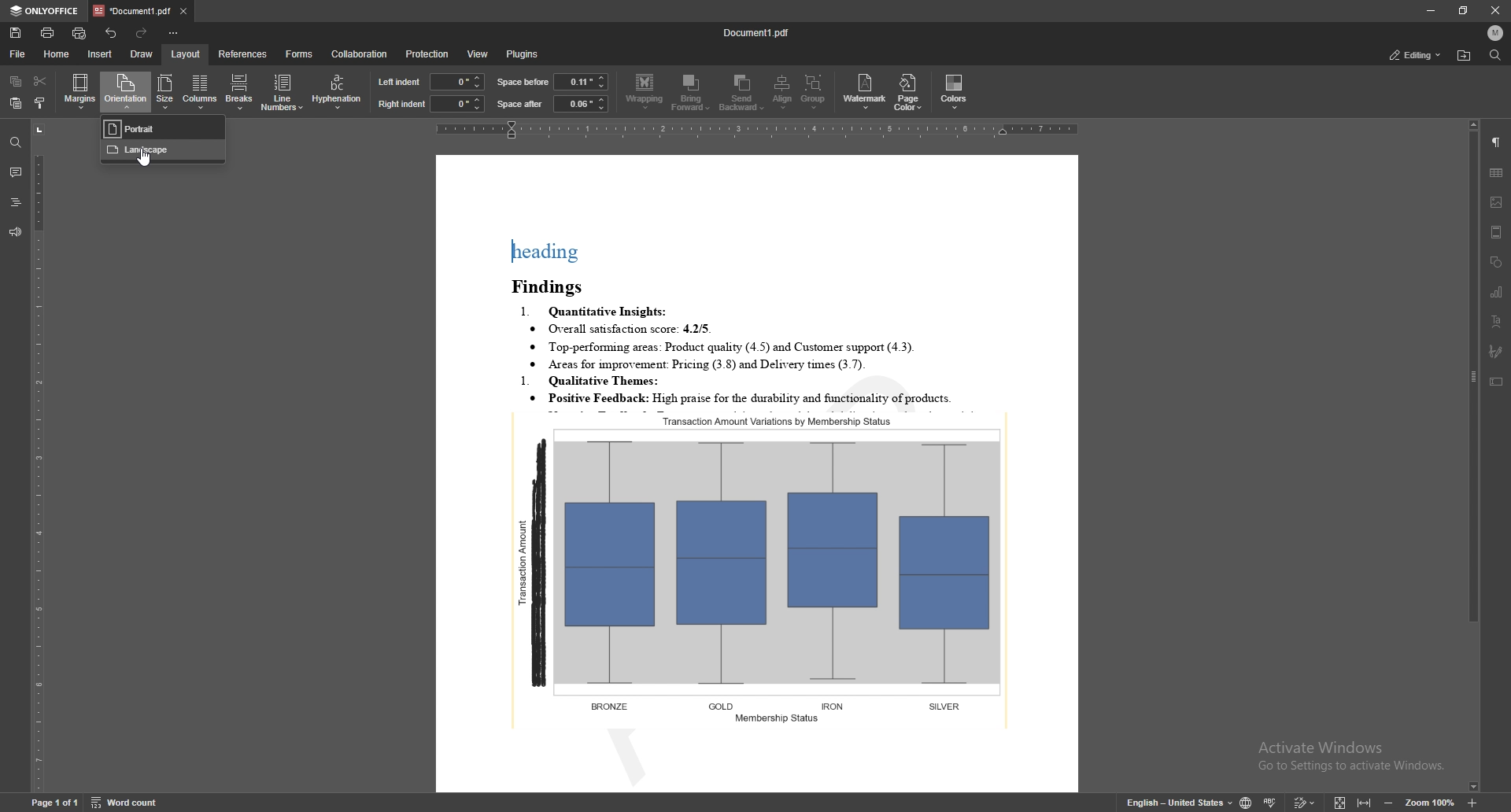  Describe the element at coordinates (1417, 54) in the screenshot. I see `status` at that location.